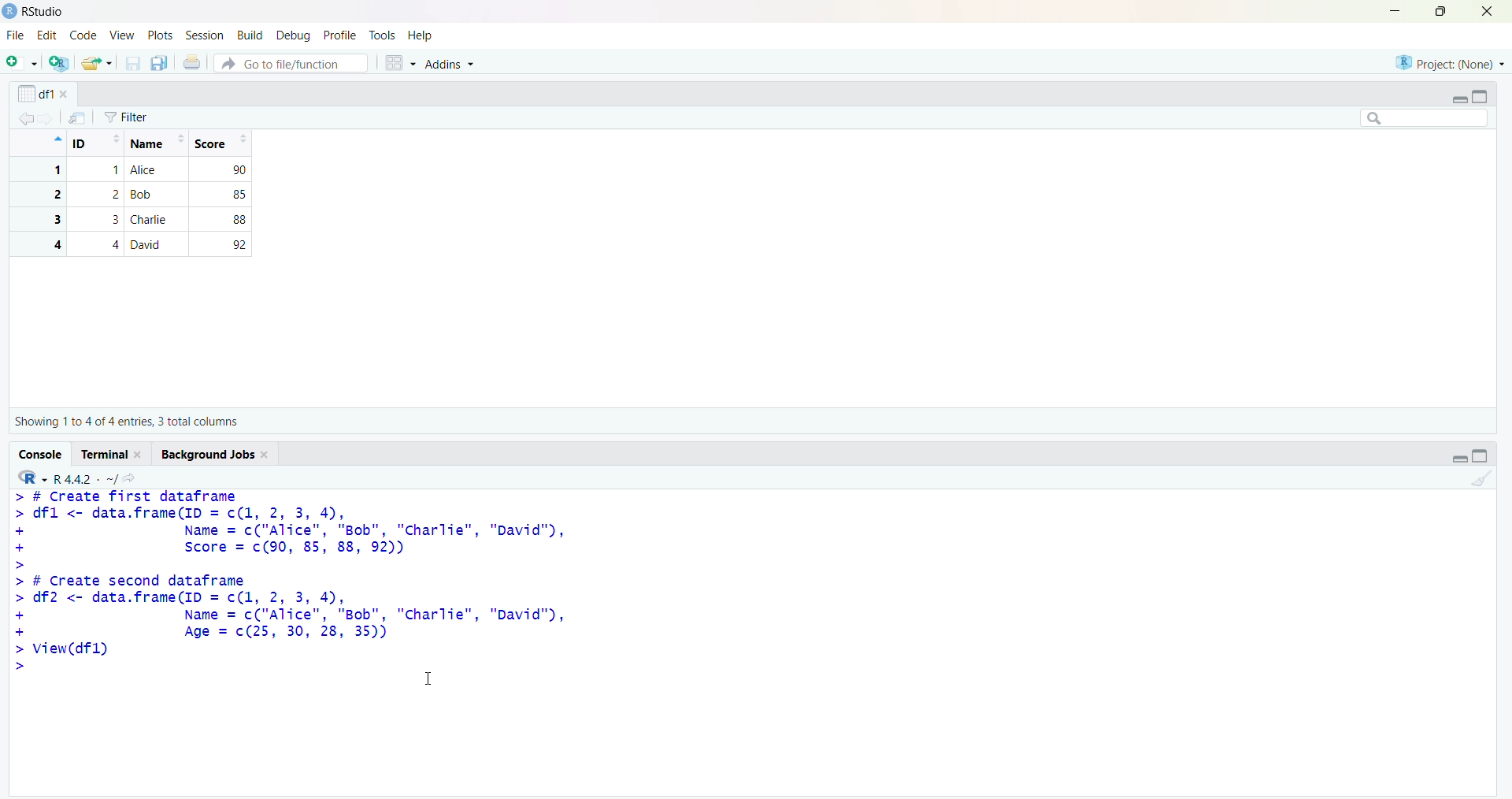  I want to click on Filter, so click(126, 117).